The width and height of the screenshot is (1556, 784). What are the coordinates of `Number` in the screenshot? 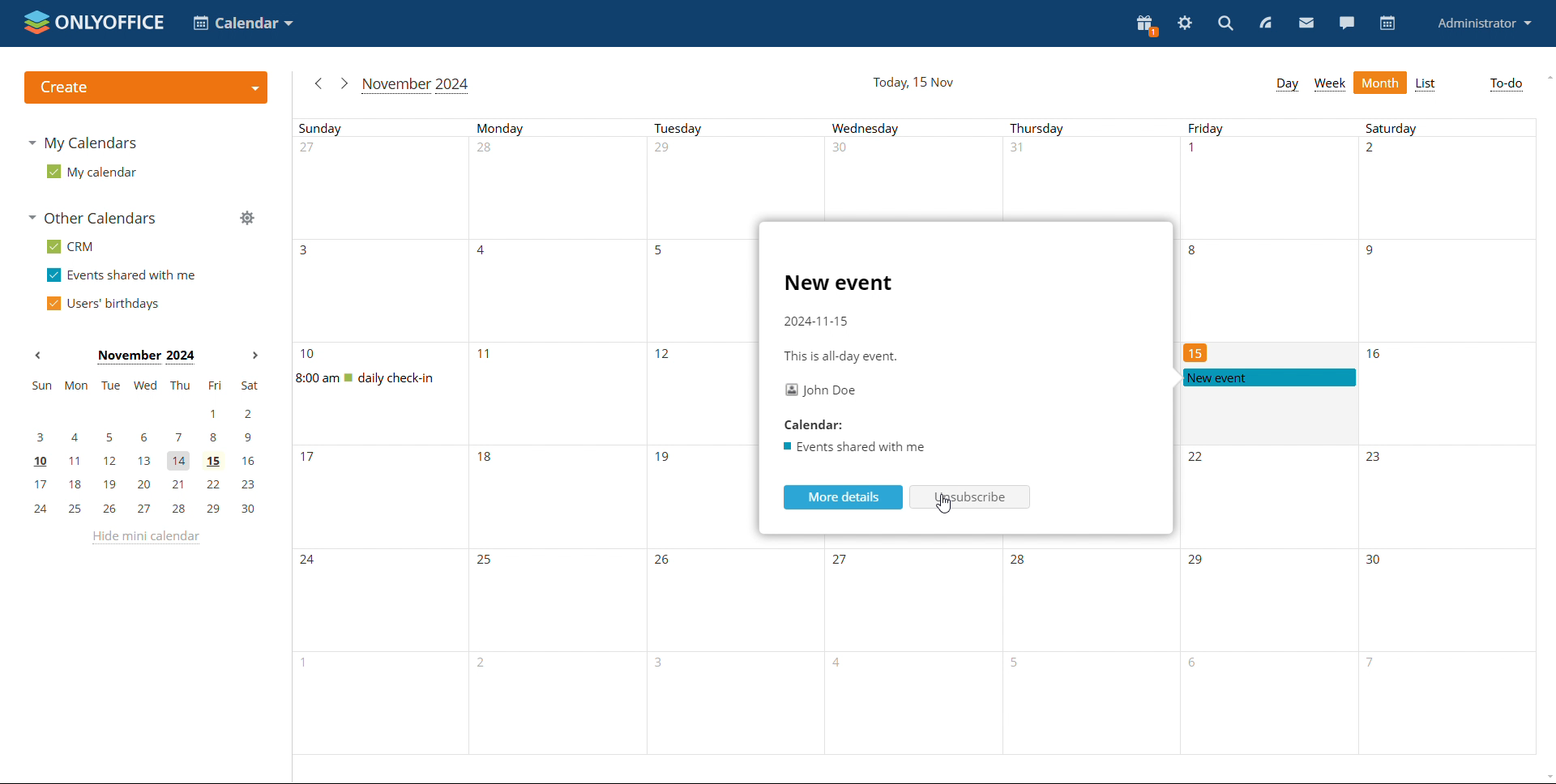 It's located at (1017, 151).